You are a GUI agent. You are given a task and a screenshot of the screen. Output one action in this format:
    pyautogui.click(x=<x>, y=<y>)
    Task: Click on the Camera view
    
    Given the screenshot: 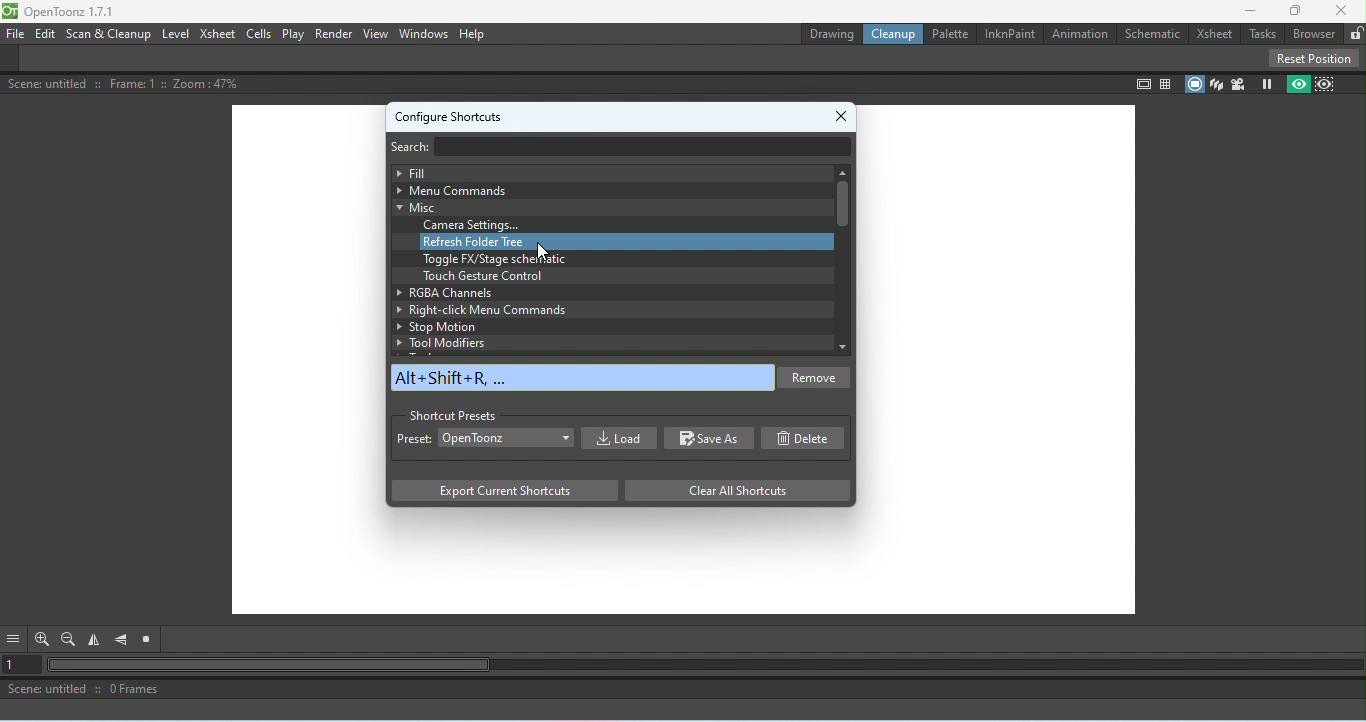 What is the action you would take?
    pyautogui.click(x=1238, y=84)
    